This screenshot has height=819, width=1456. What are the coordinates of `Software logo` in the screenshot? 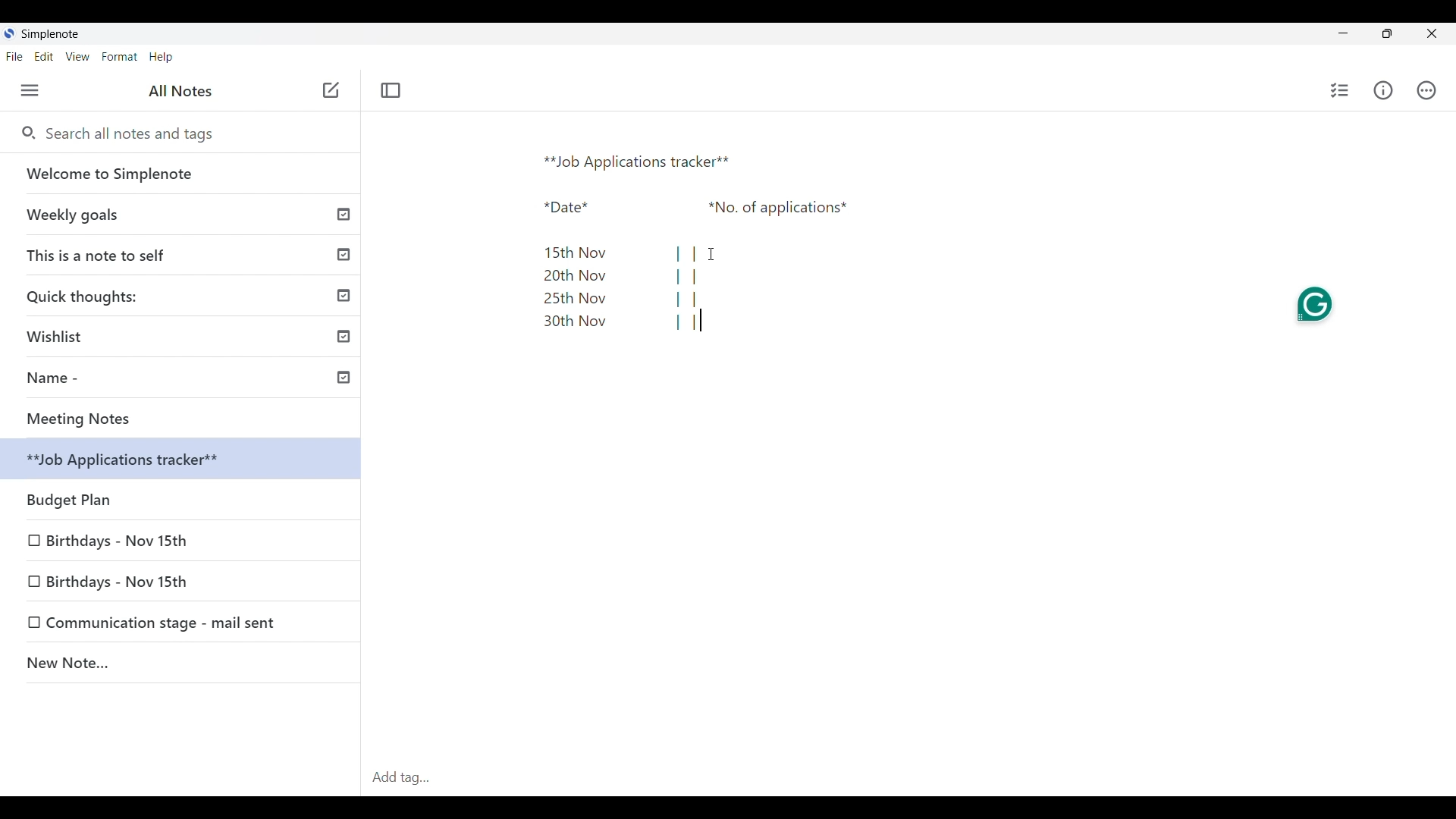 It's located at (8, 33).